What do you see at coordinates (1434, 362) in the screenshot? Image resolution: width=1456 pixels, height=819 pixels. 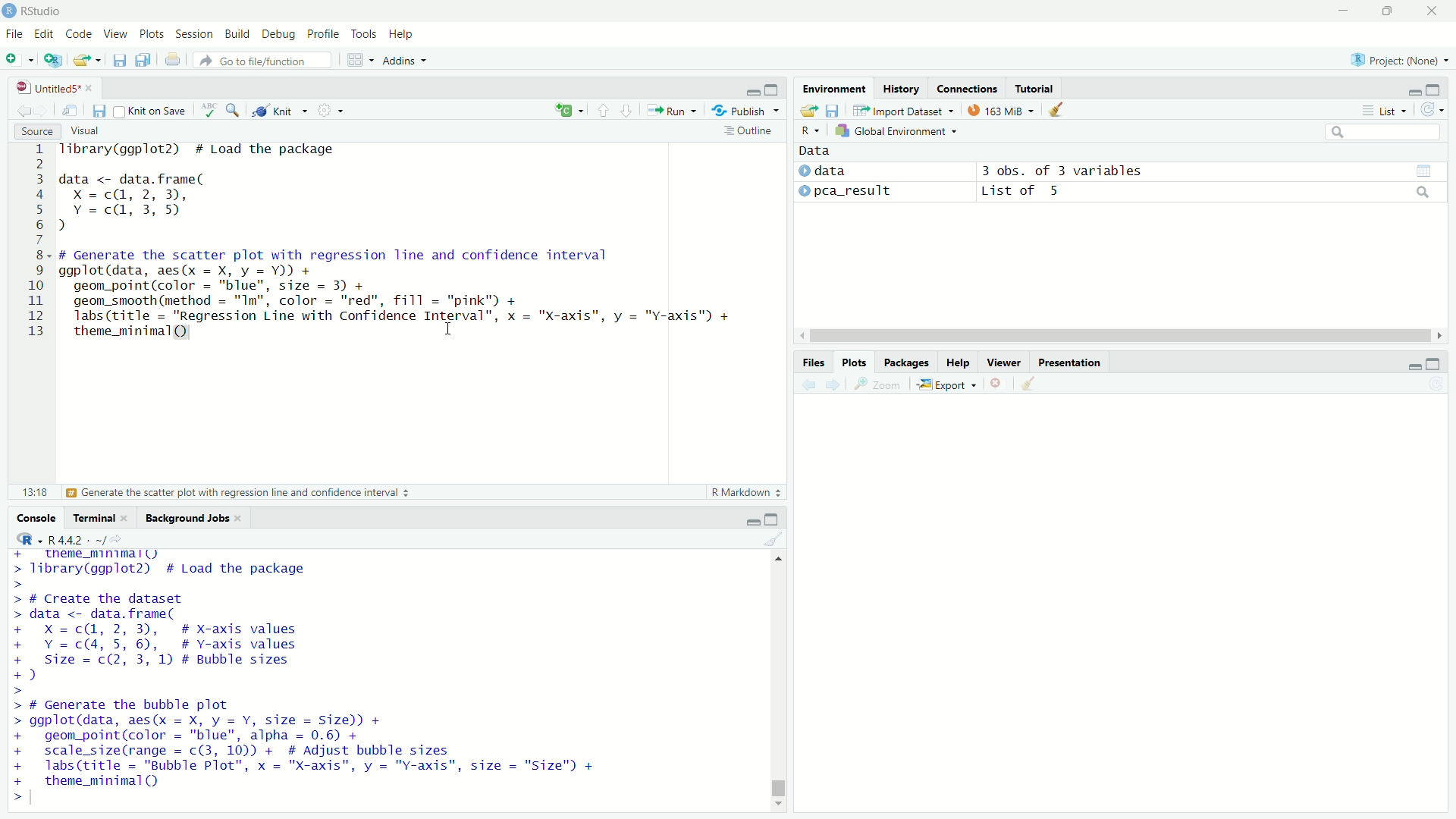 I see `expand` at bounding box center [1434, 362].